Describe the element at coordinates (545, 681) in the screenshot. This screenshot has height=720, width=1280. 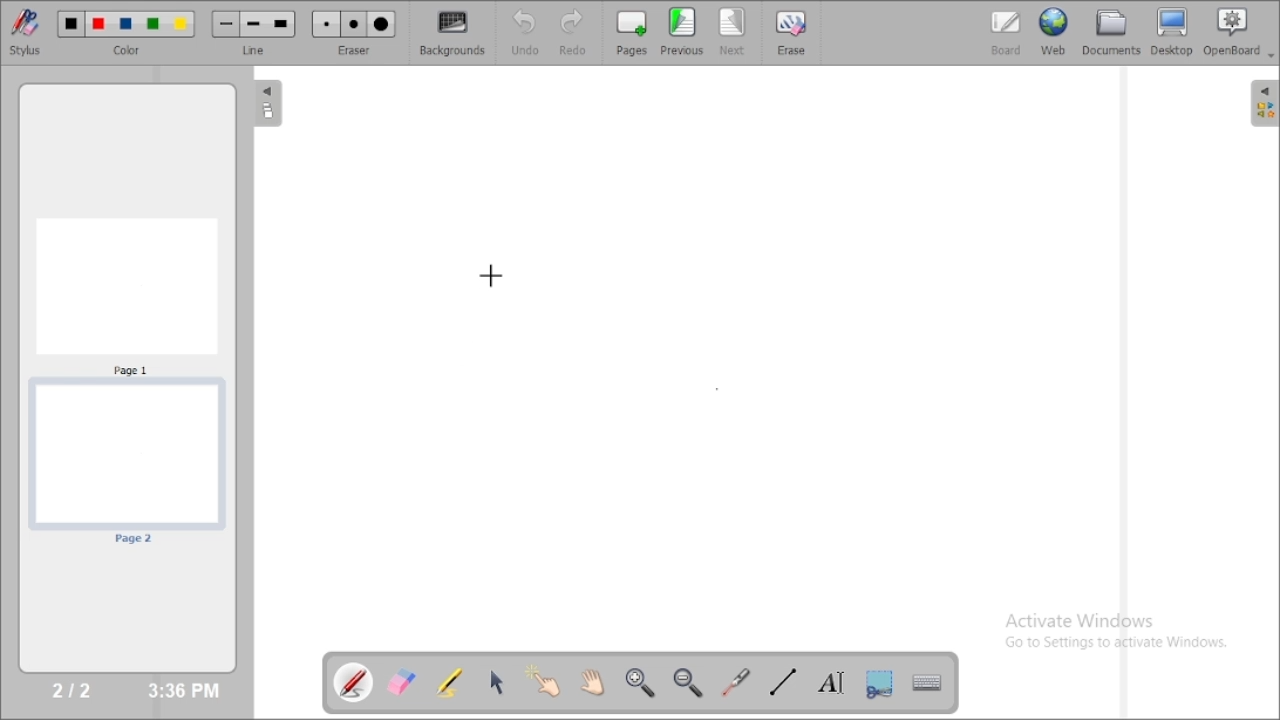
I see `interact with items` at that location.